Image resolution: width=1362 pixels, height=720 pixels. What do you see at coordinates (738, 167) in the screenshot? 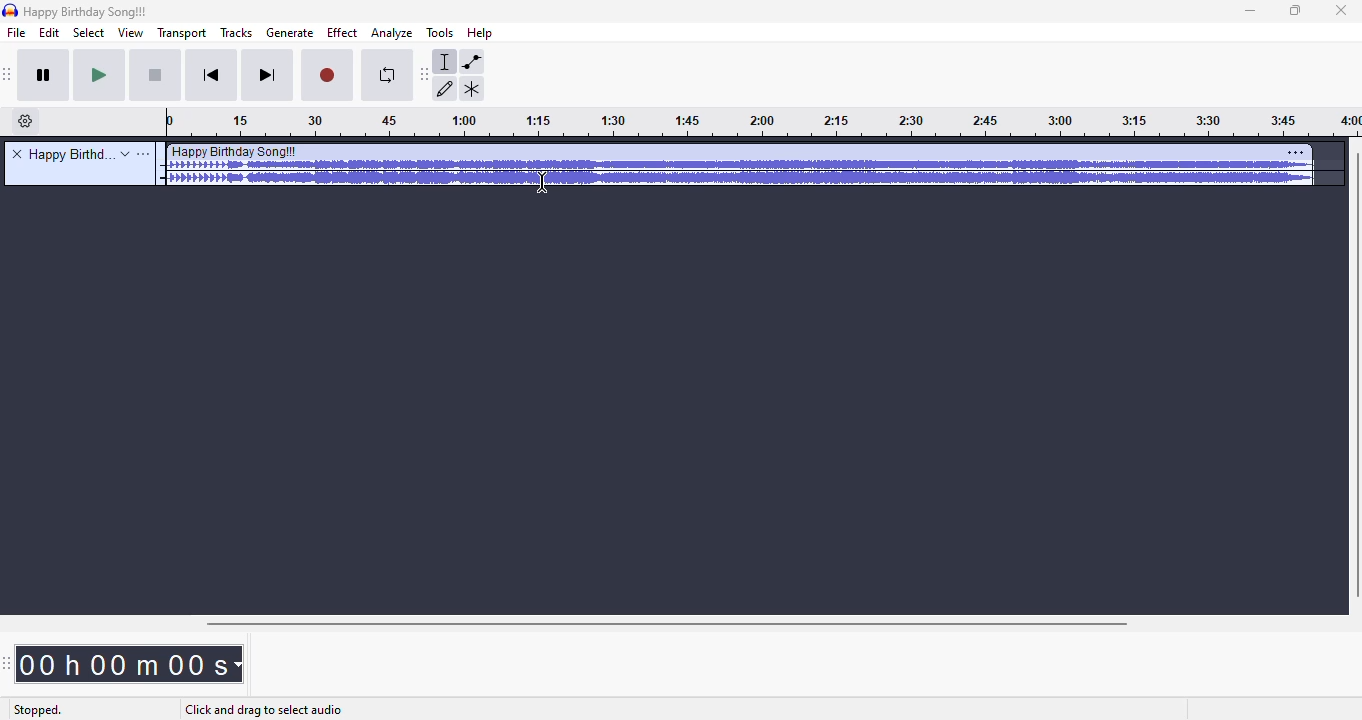
I see `audio track` at bounding box center [738, 167].